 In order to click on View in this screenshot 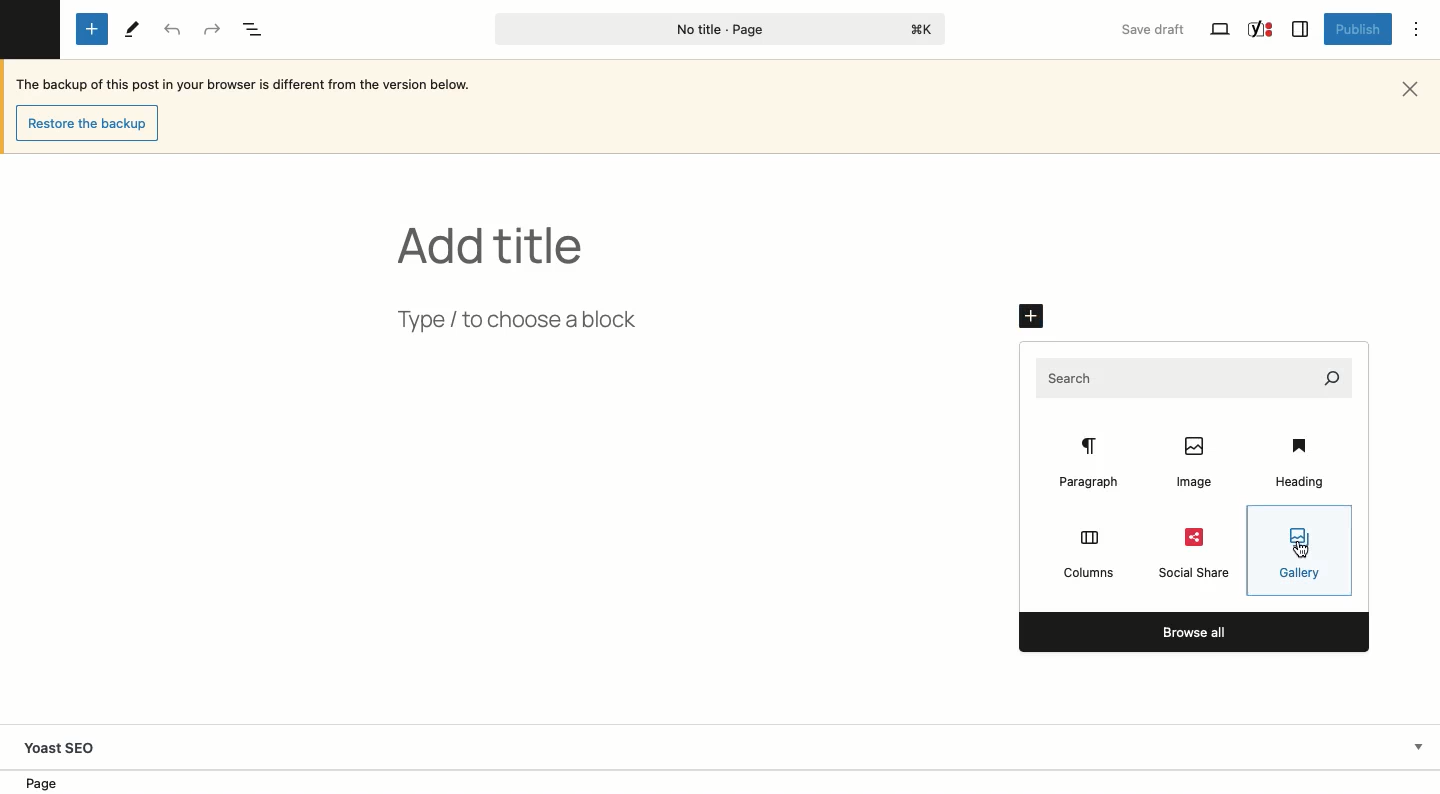, I will do `click(1218, 31)`.